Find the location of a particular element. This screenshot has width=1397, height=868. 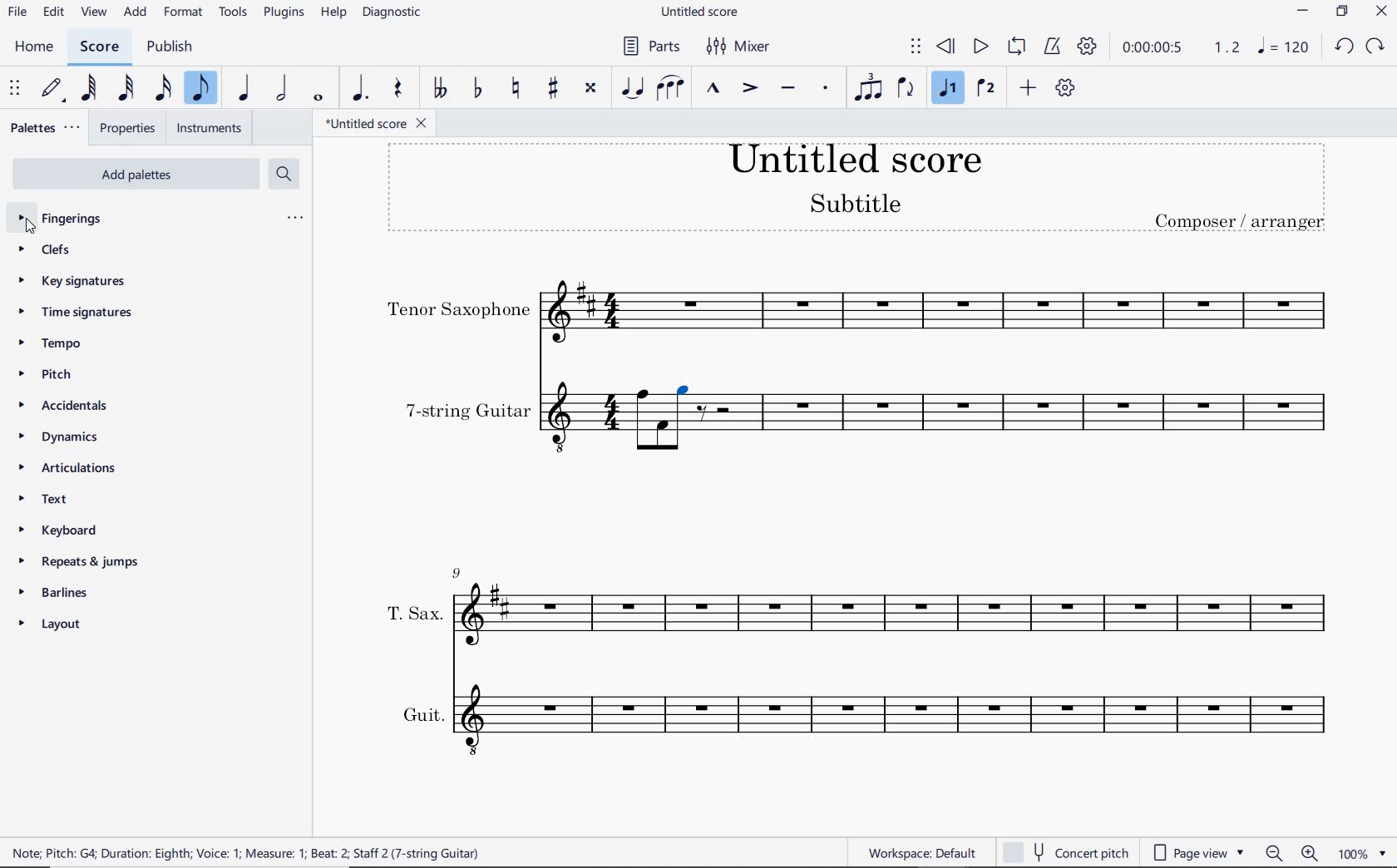

ZOOM OUT OR ZOOM IN is located at coordinates (1291, 854).